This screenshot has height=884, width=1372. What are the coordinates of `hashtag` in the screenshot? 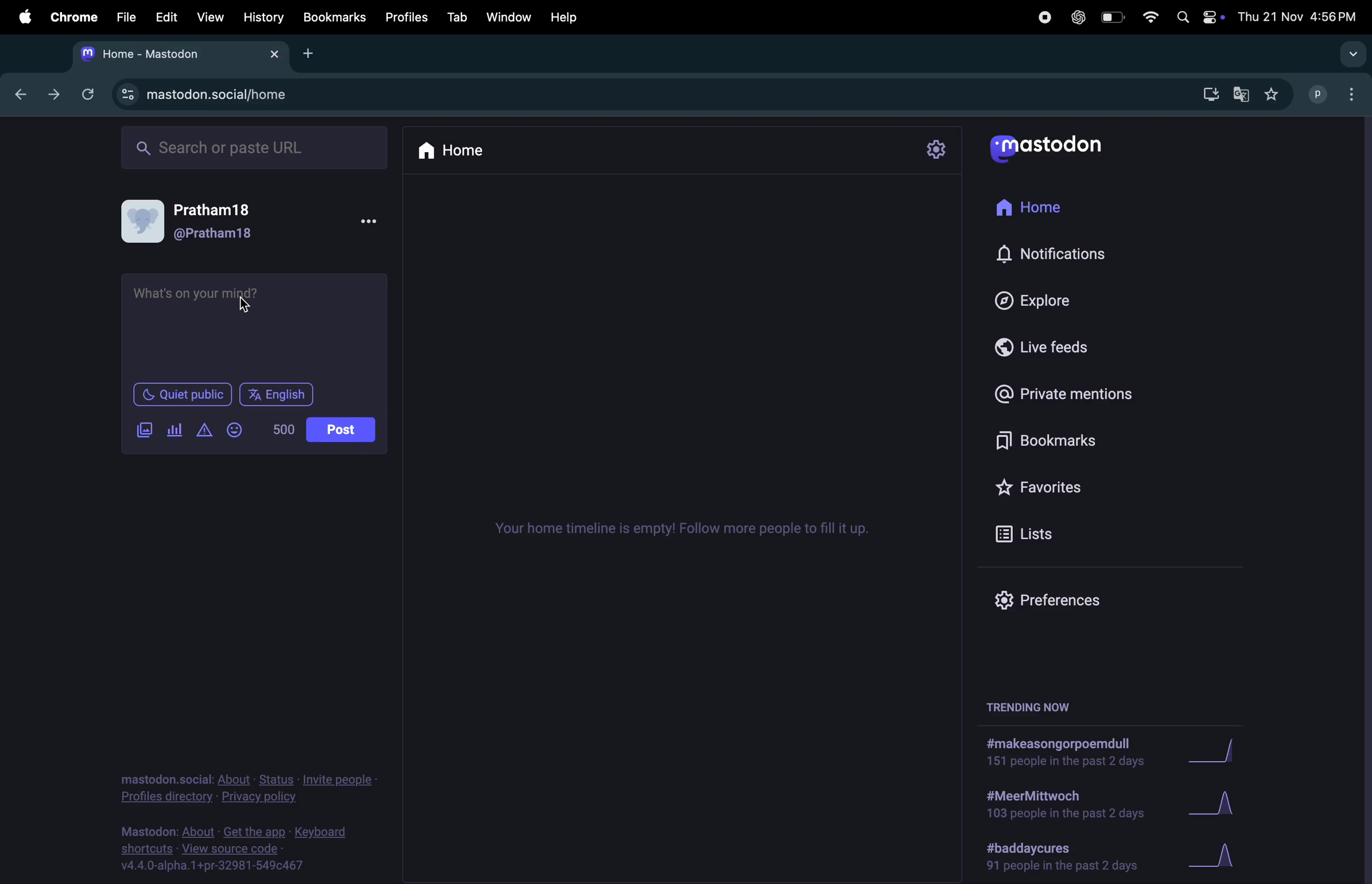 It's located at (1066, 858).